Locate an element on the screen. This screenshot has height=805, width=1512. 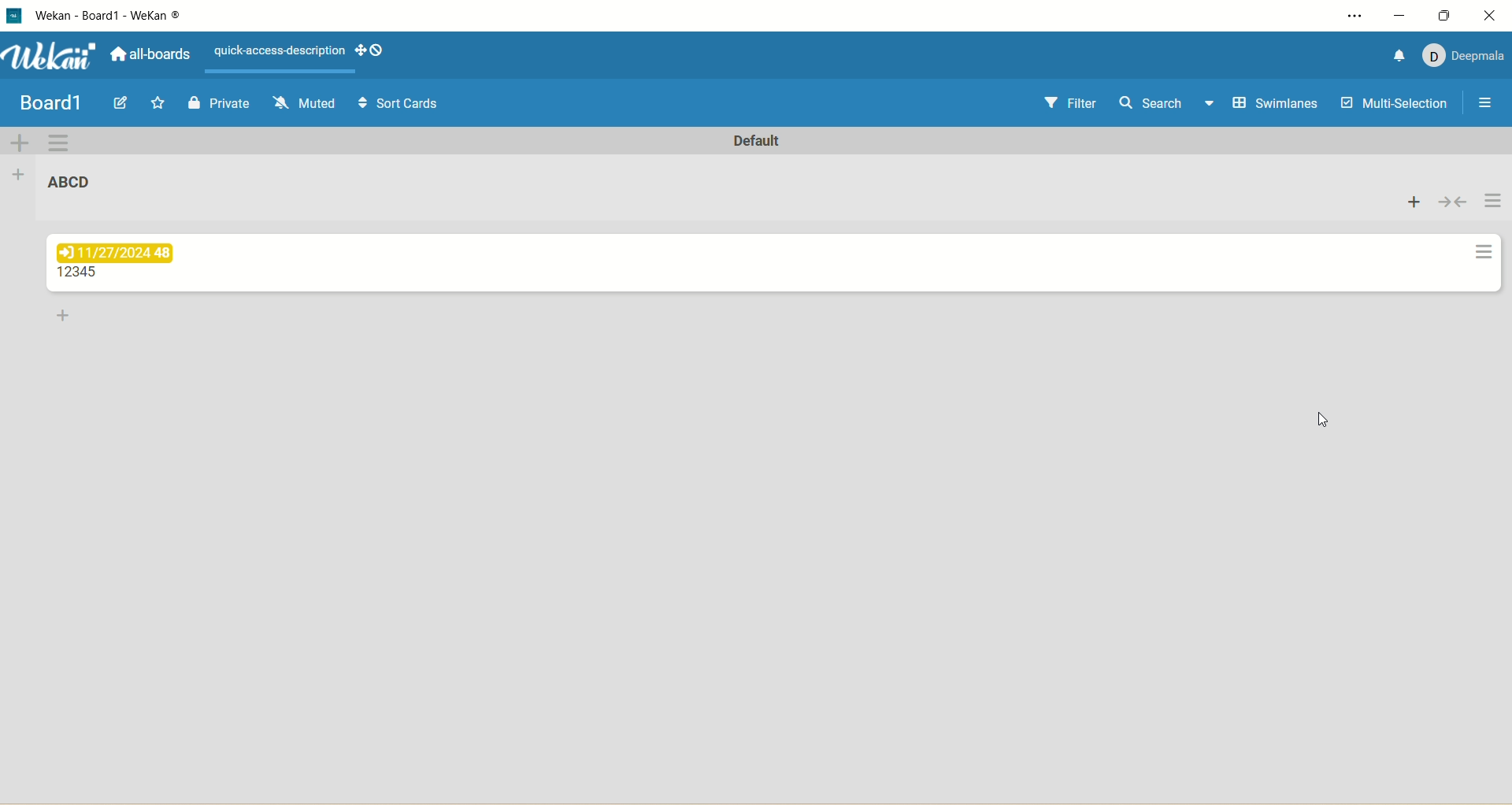
favorite is located at coordinates (159, 102).